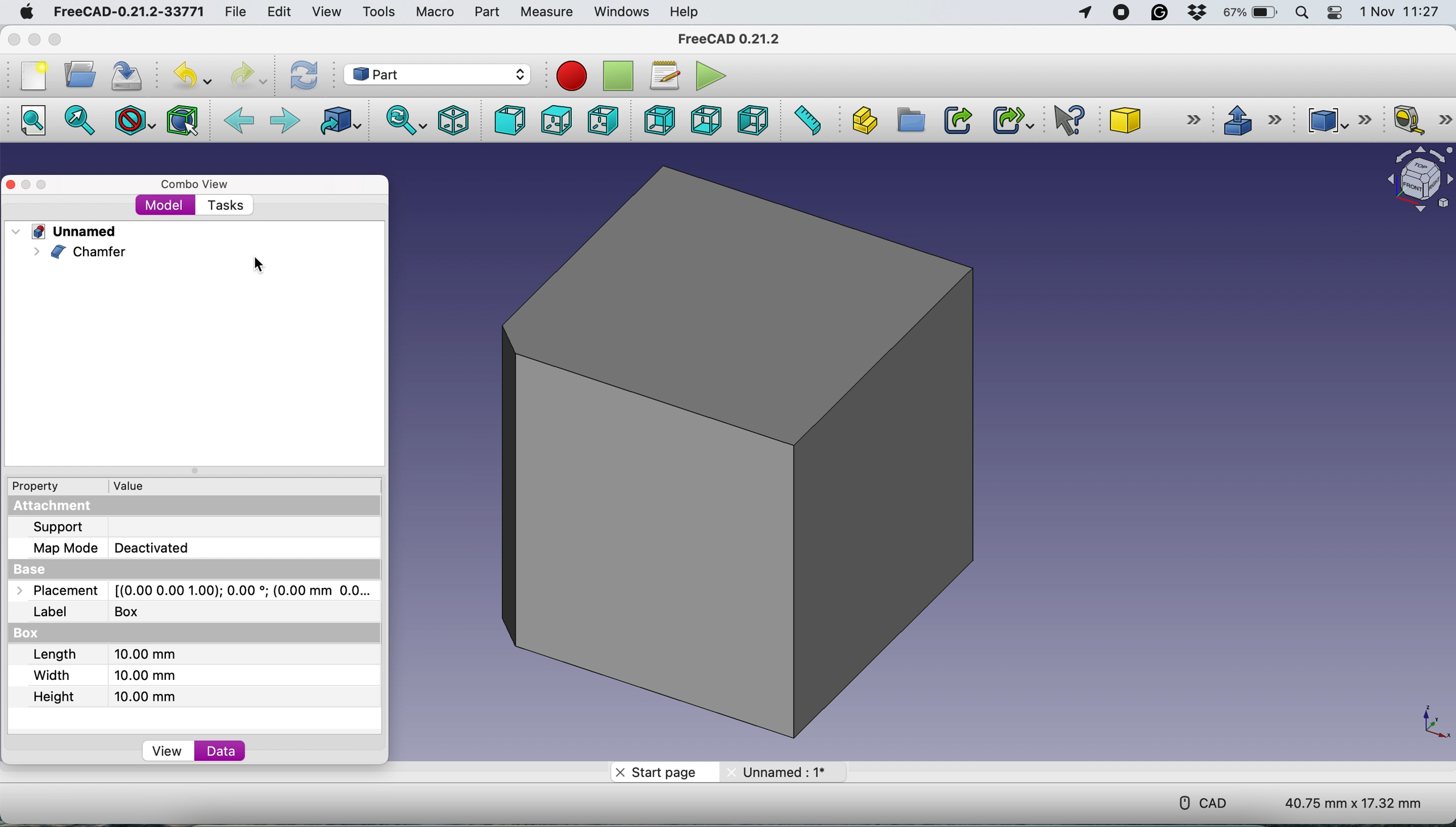  What do you see at coordinates (221, 752) in the screenshot?
I see `data` at bounding box center [221, 752].